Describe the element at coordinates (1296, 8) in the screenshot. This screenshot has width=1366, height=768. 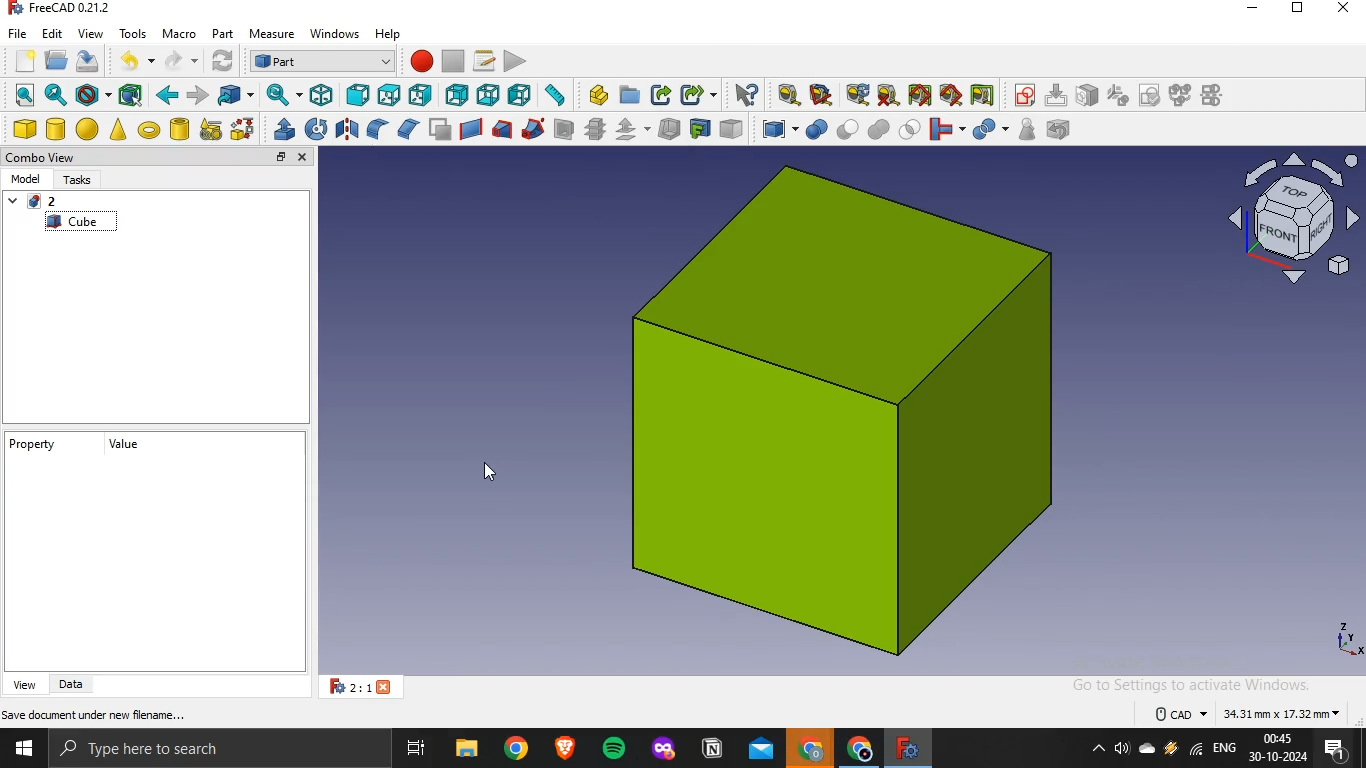
I see `restore` at that location.